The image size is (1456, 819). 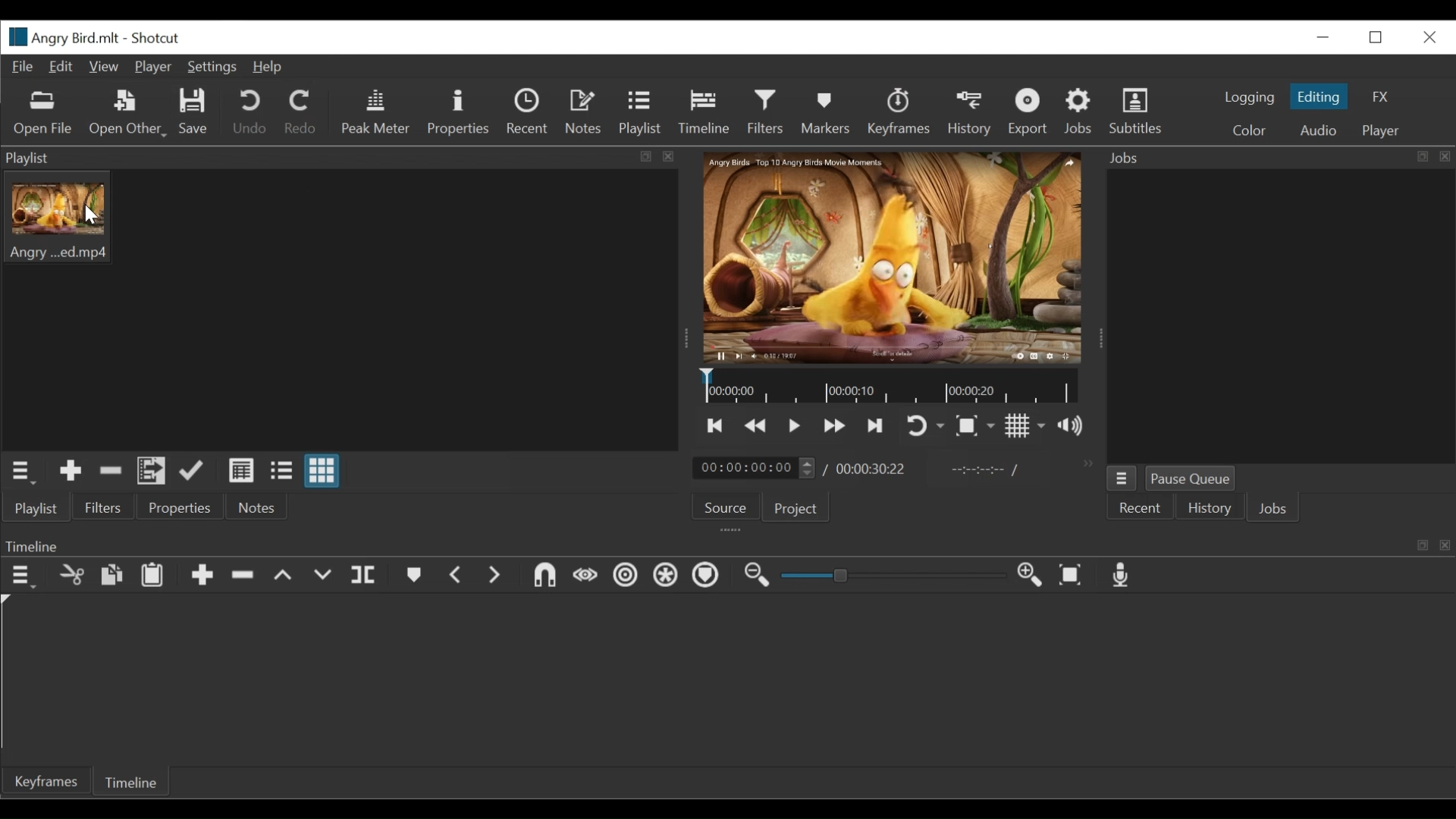 What do you see at coordinates (111, 575) in the screenshot?
I see `Paste` at bounding box center [111, 575].